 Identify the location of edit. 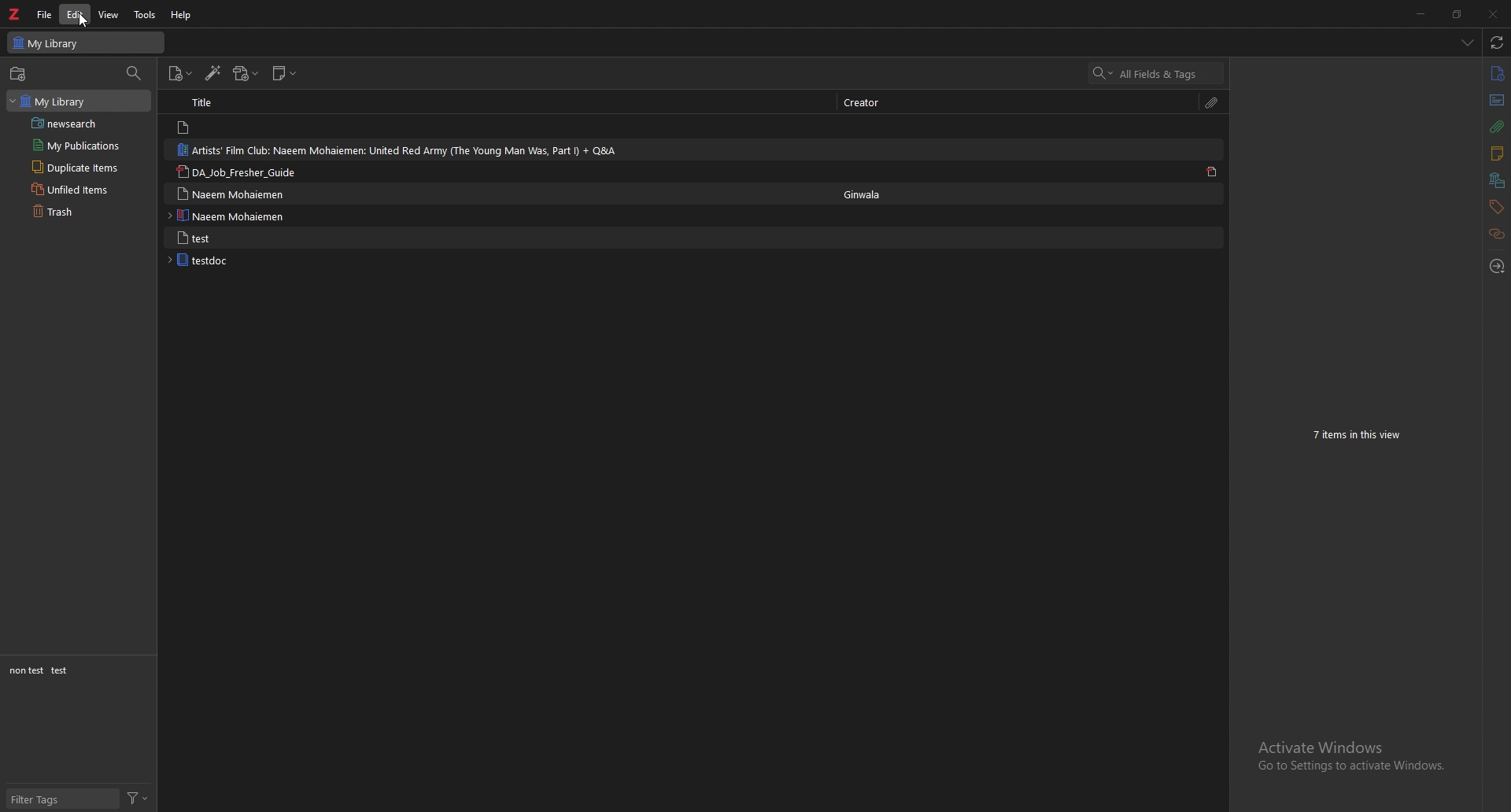
(76, 14).